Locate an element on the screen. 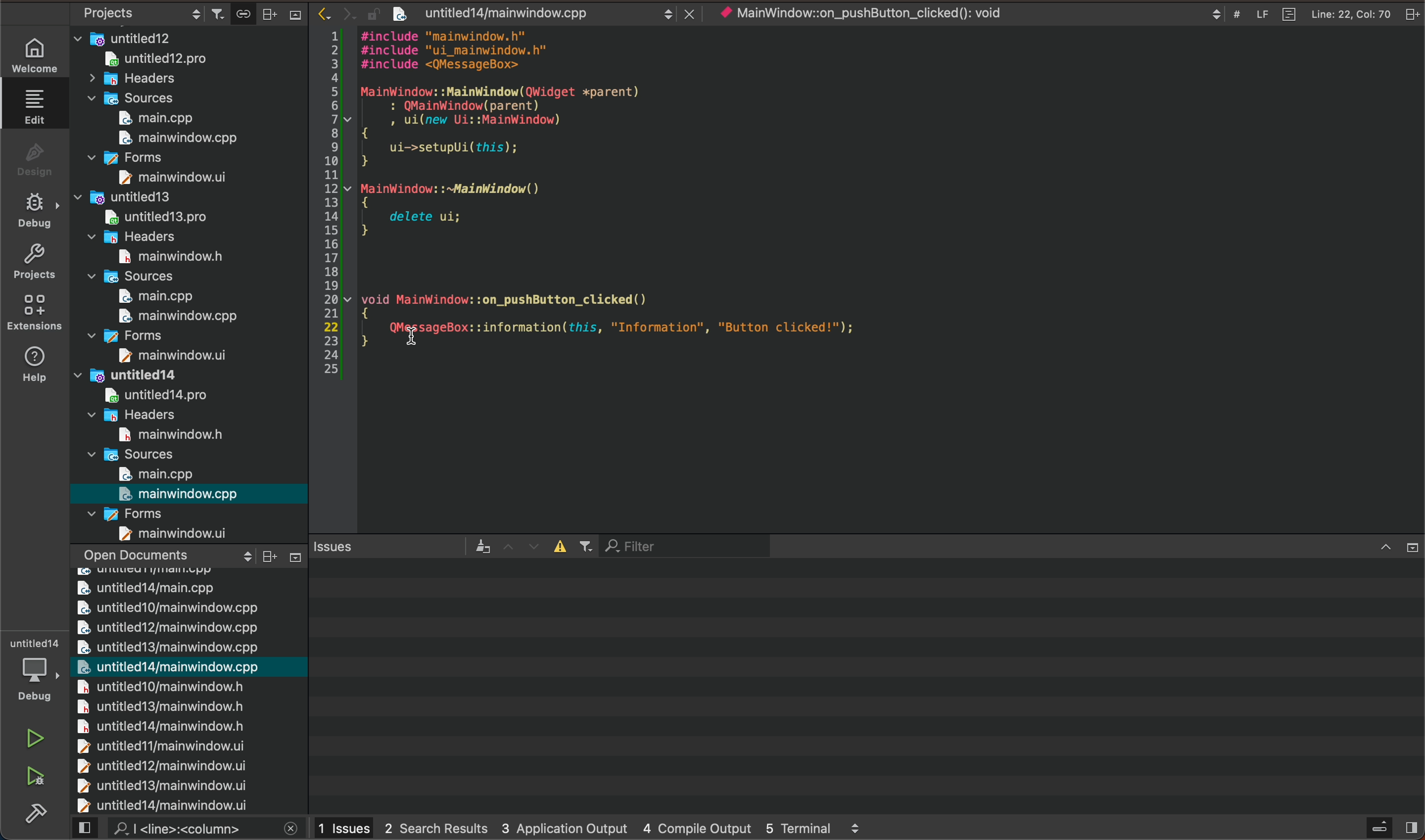 This screenshot has width=1425, height=840. main.cpp is located at coordinates (160, 474).